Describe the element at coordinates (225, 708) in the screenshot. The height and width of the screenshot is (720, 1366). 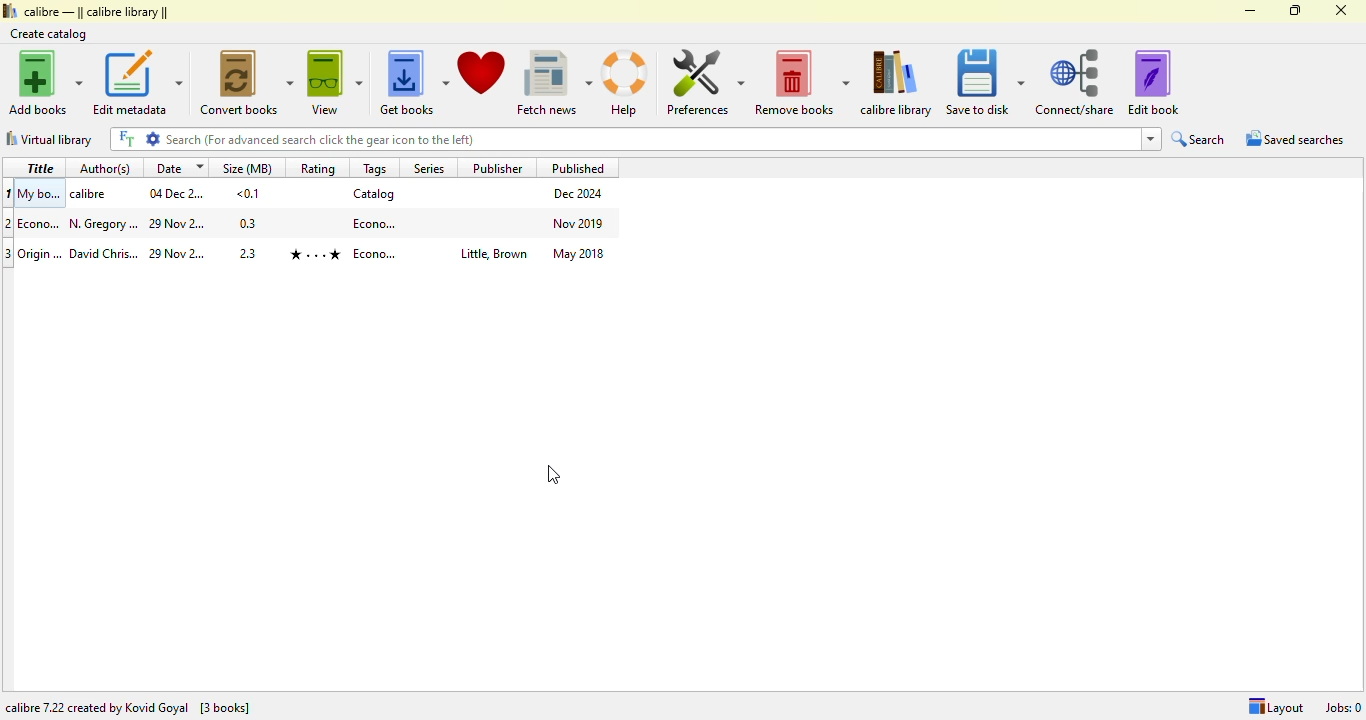
I see `[3 books]` at that location.